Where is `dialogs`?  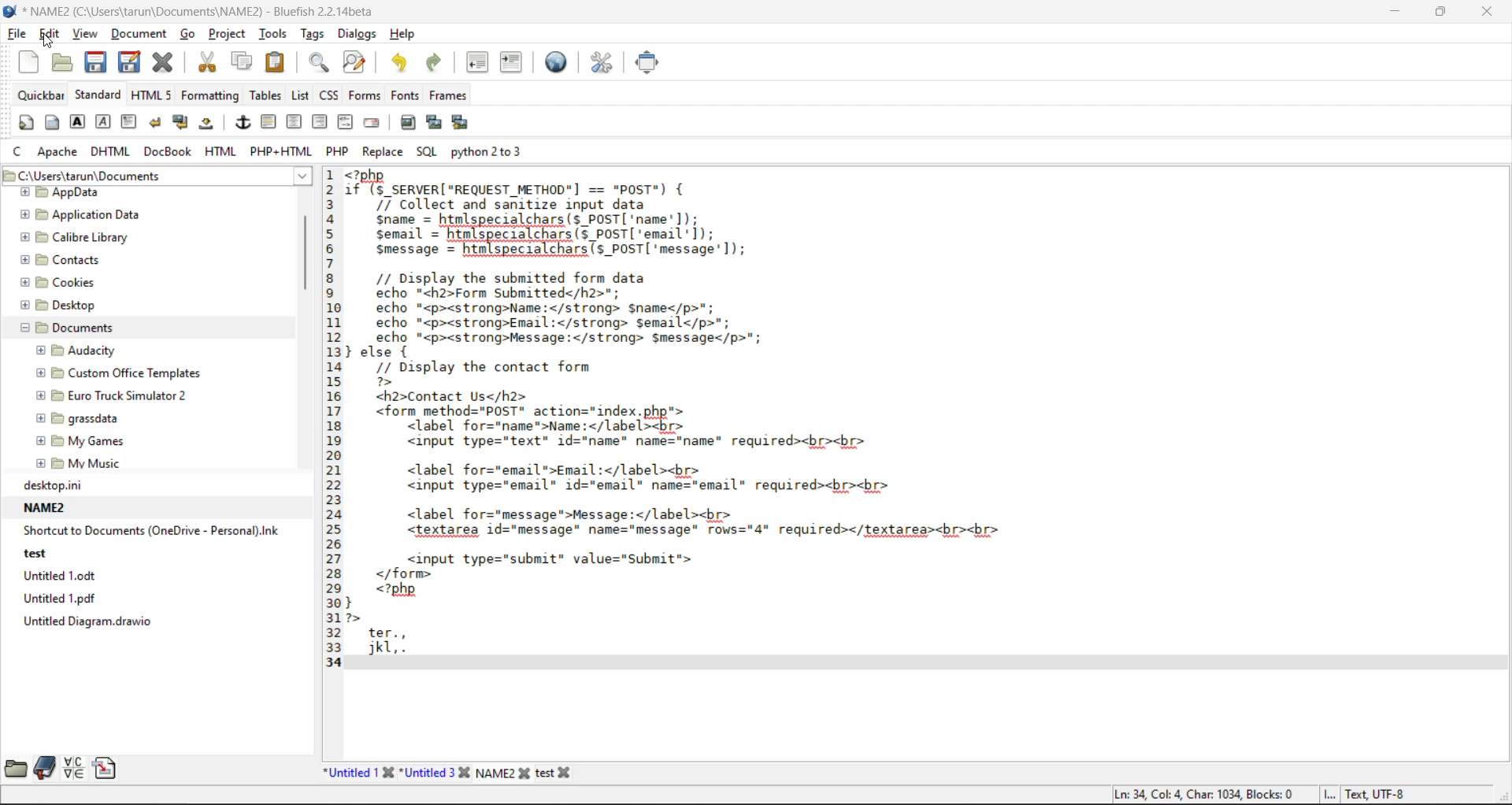
dialogs is located at coordinates (358, 34).